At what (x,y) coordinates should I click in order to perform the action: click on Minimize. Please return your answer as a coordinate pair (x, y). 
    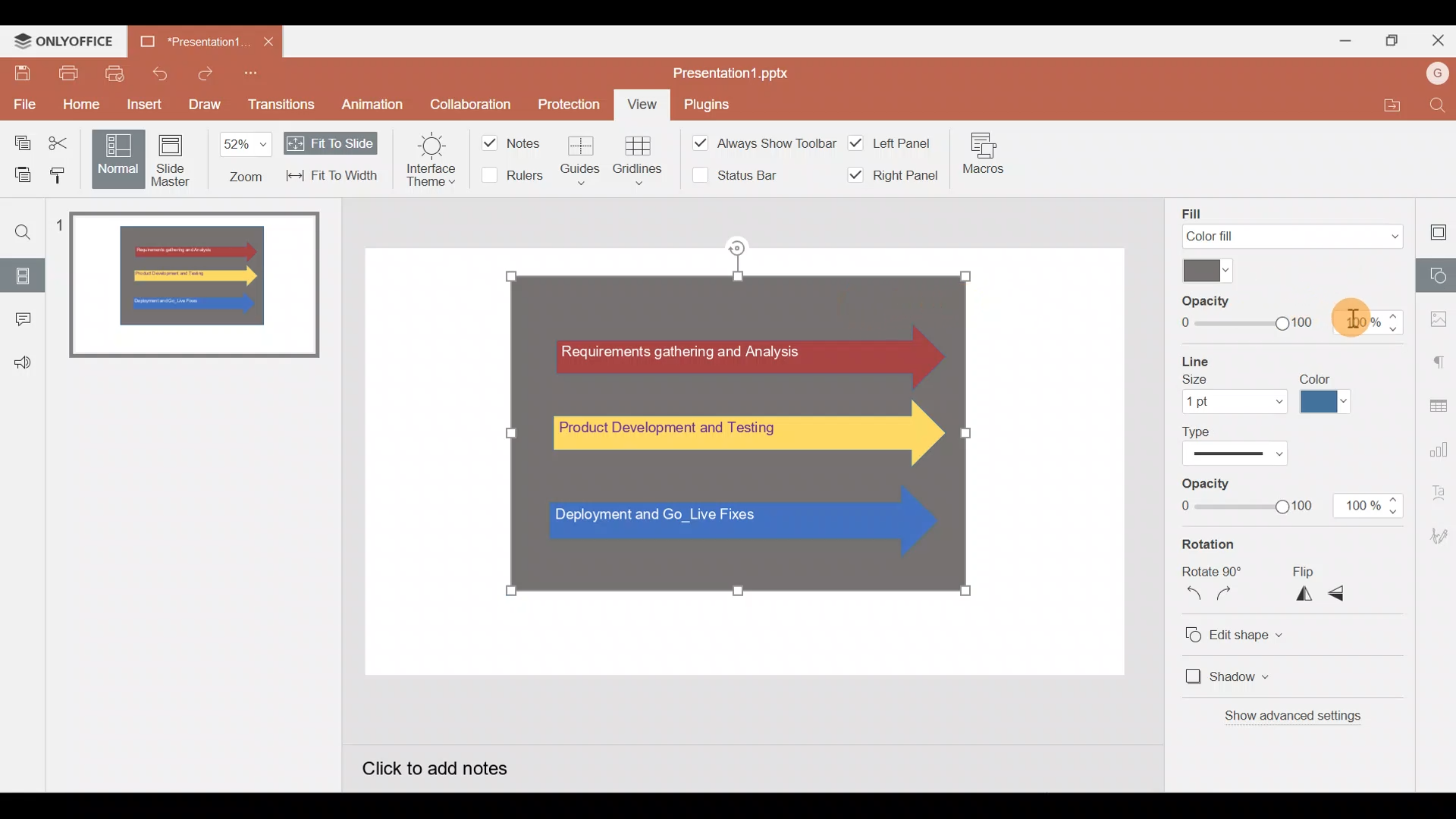
    Looking at the image, I should click on (1343, 42).